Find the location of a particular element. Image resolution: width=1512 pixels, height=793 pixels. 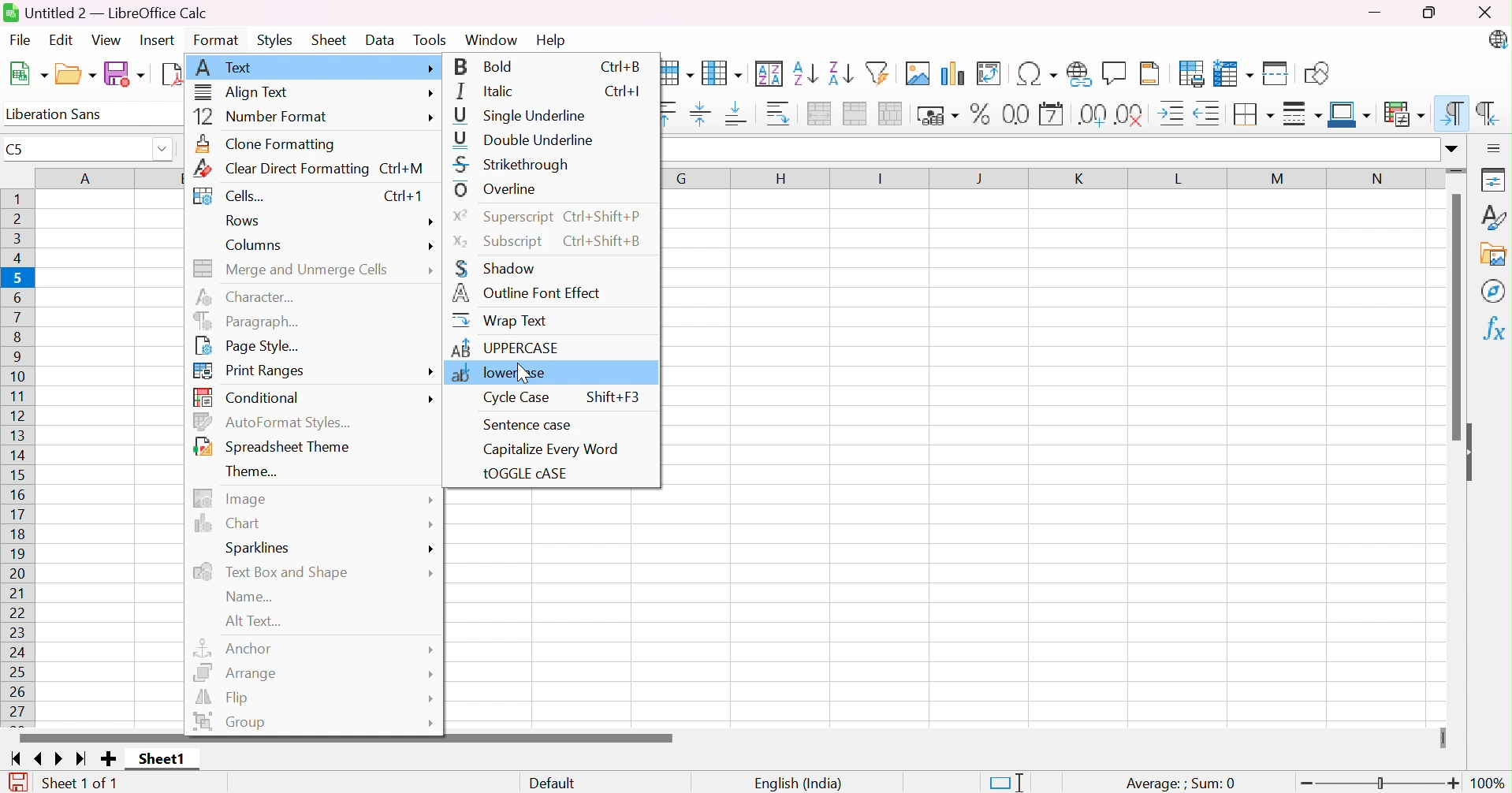

English (India) is located at coordinates (798, 784).